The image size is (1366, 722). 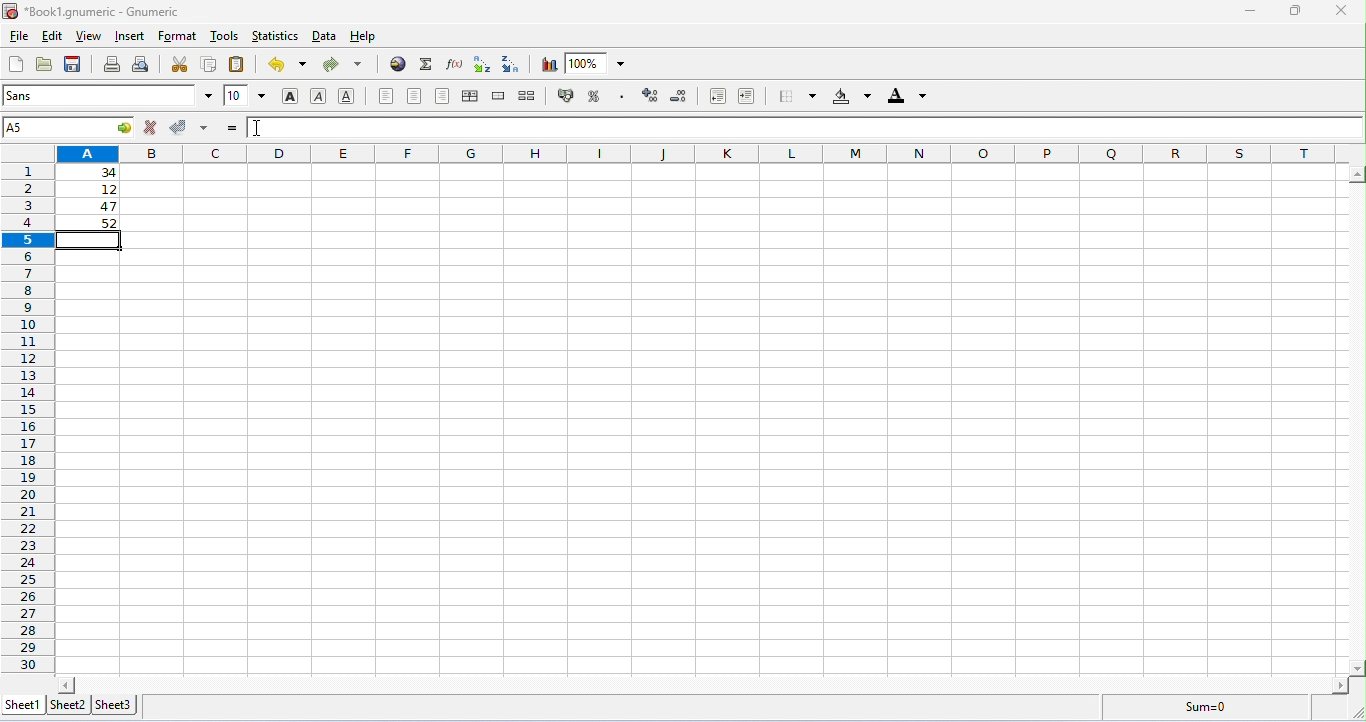 What do you see at coordinates (73, 64) in the screenshot?
I see `save` at bounding box center [73, 64].